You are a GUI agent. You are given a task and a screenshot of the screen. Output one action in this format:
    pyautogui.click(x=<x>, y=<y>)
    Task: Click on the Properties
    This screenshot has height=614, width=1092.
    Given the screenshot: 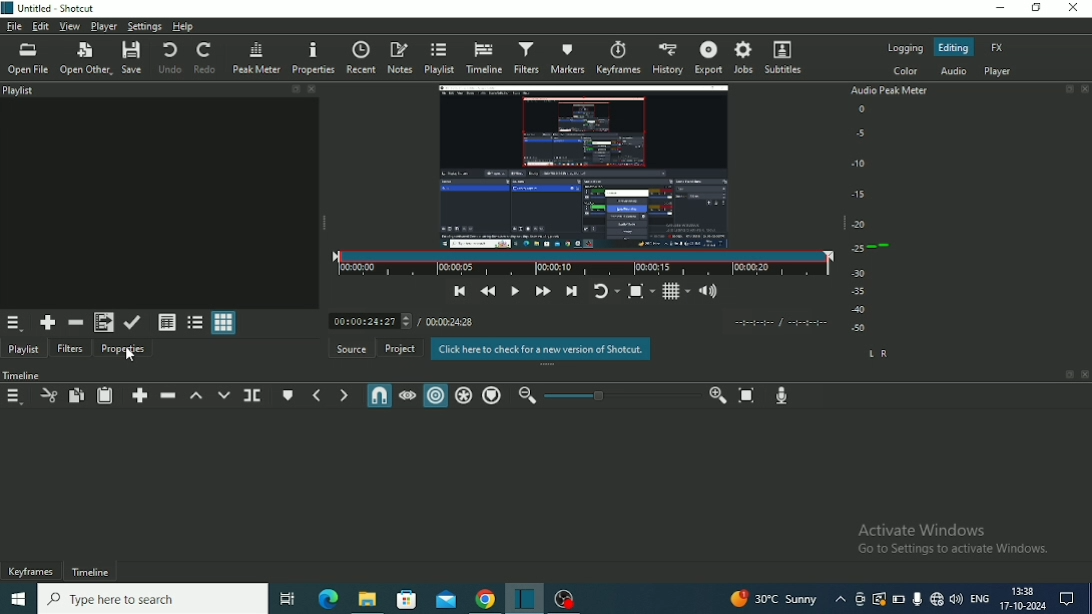 What is the action you would take?
    pyautogui.click(x=124, y=351)
    